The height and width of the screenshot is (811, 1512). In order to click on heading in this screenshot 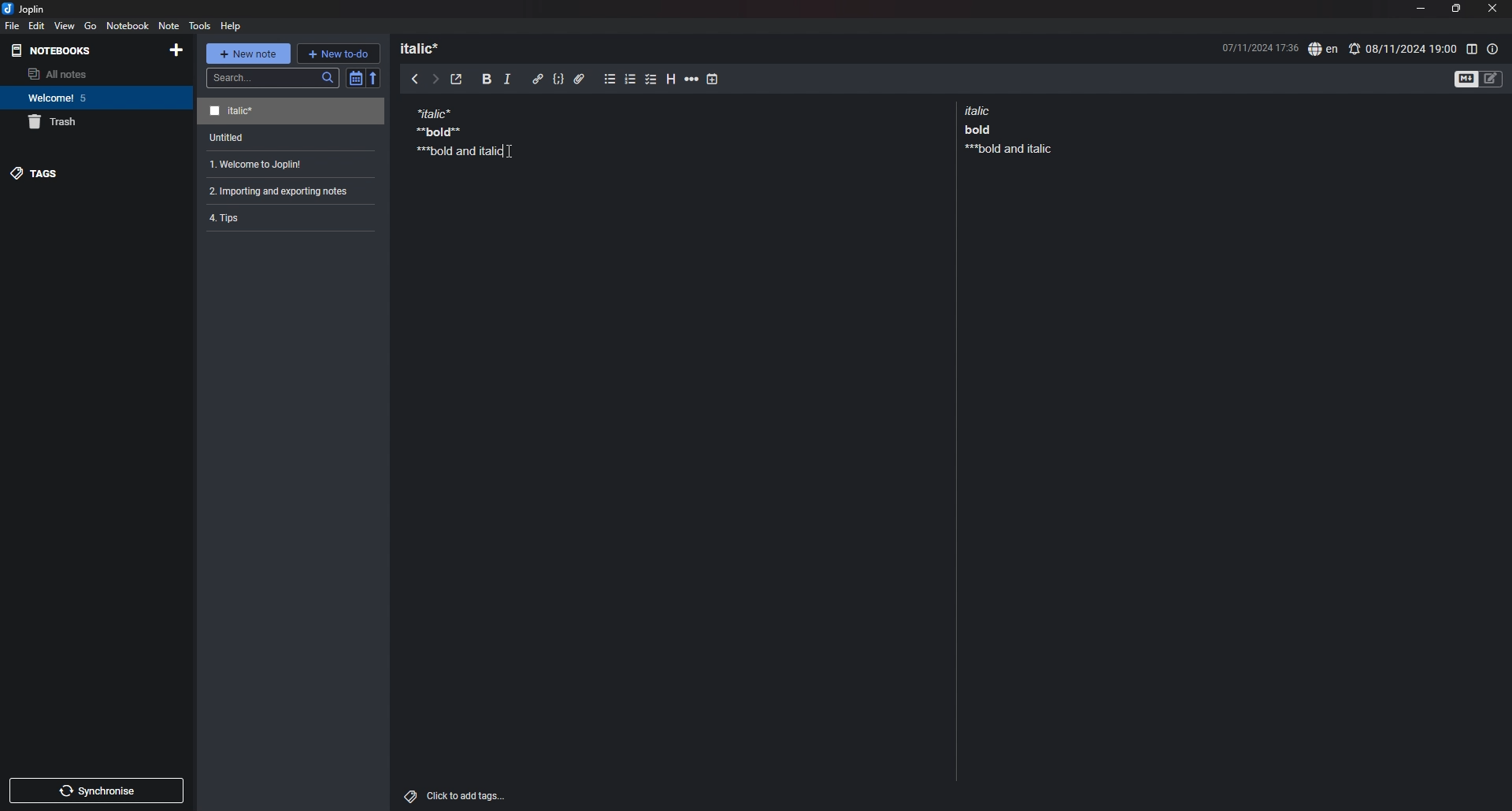, I will do `click(673, 80)`.